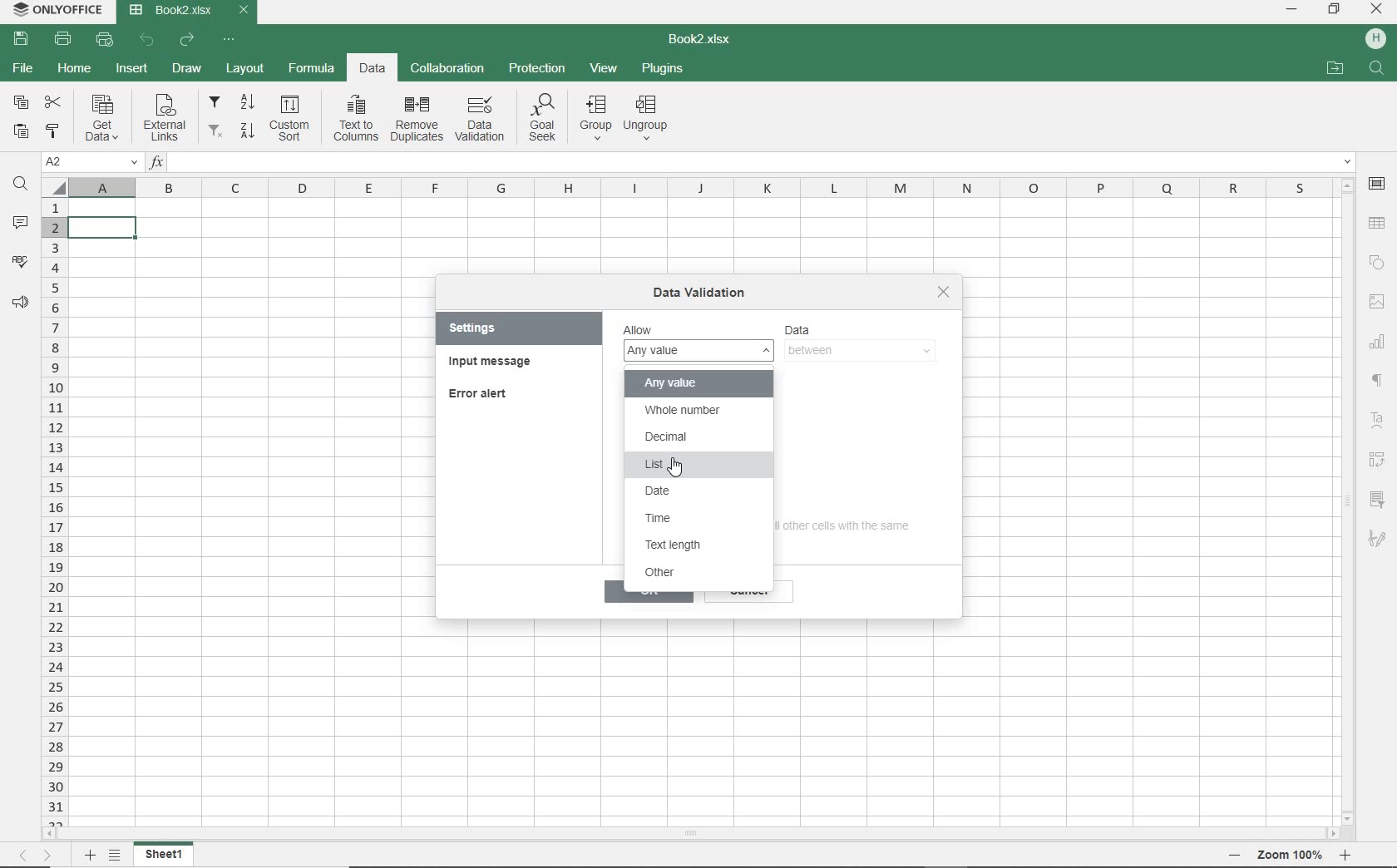 This screenshot has height=868, width=1397. What do you see at coordinates (1377, 501) in the screenshot?
I see `SLICER` at bounding box center [1377, 501].